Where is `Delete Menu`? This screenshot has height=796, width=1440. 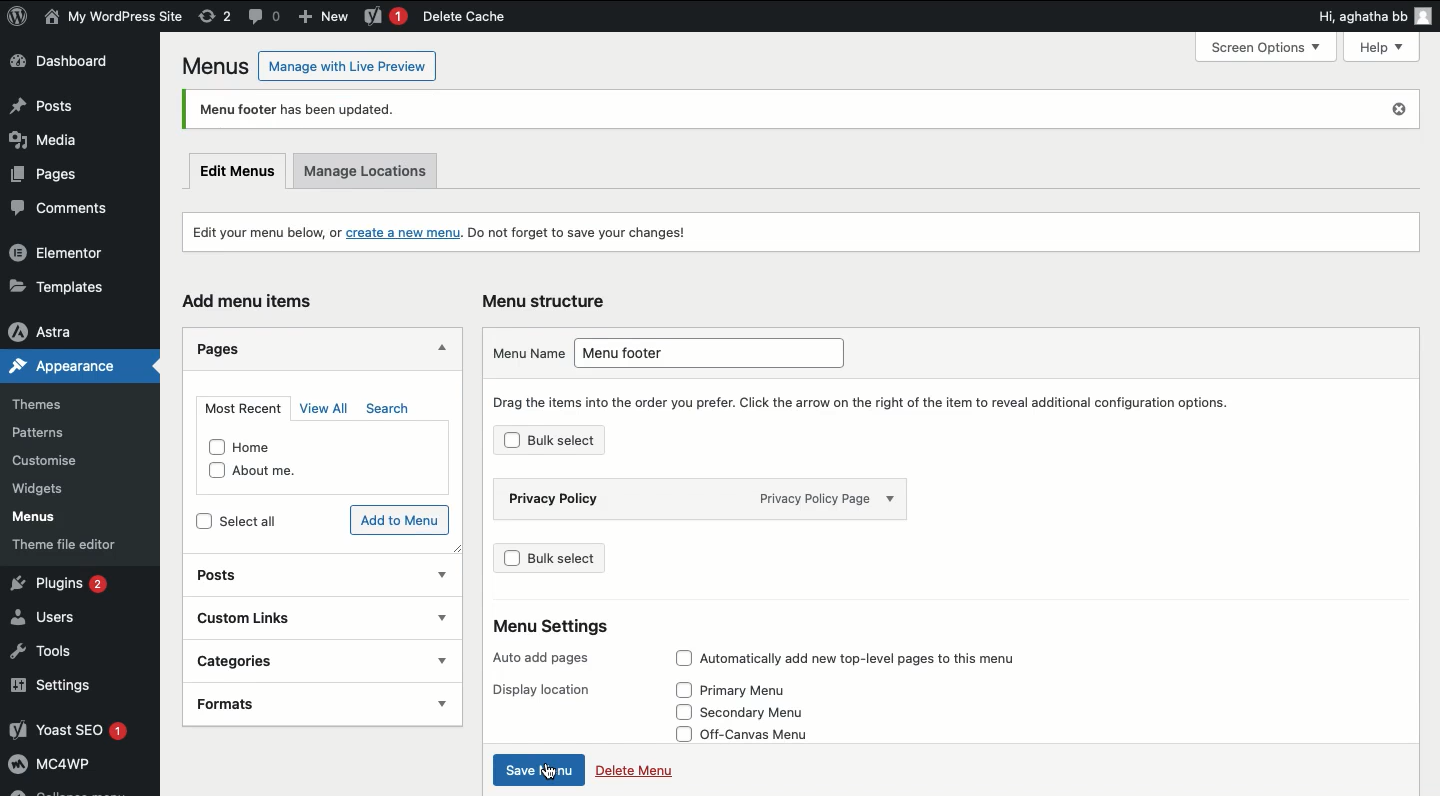
Delete Menu is located at coordinates (651, 766).